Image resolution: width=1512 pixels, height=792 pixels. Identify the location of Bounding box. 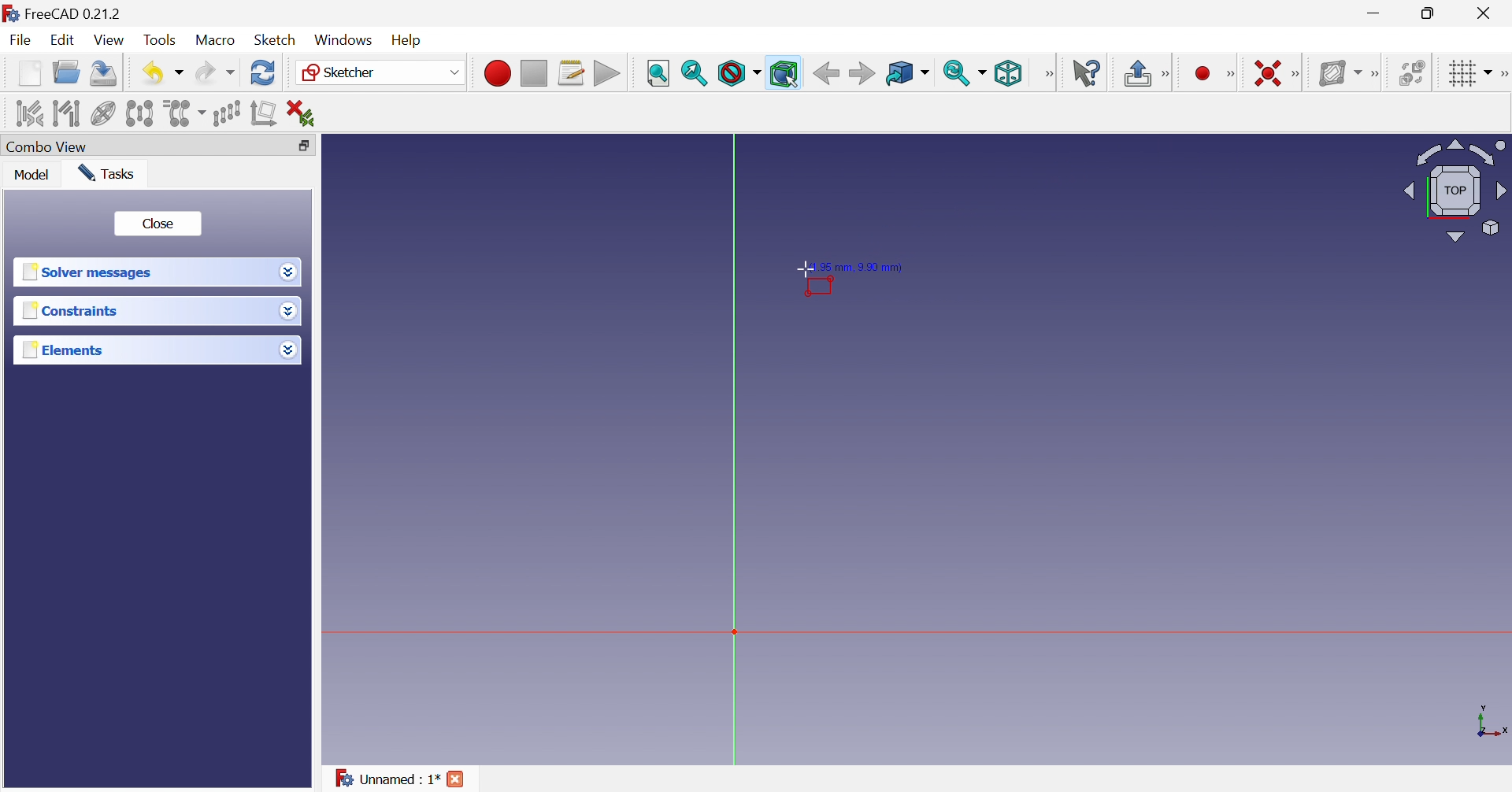
(784, 74).